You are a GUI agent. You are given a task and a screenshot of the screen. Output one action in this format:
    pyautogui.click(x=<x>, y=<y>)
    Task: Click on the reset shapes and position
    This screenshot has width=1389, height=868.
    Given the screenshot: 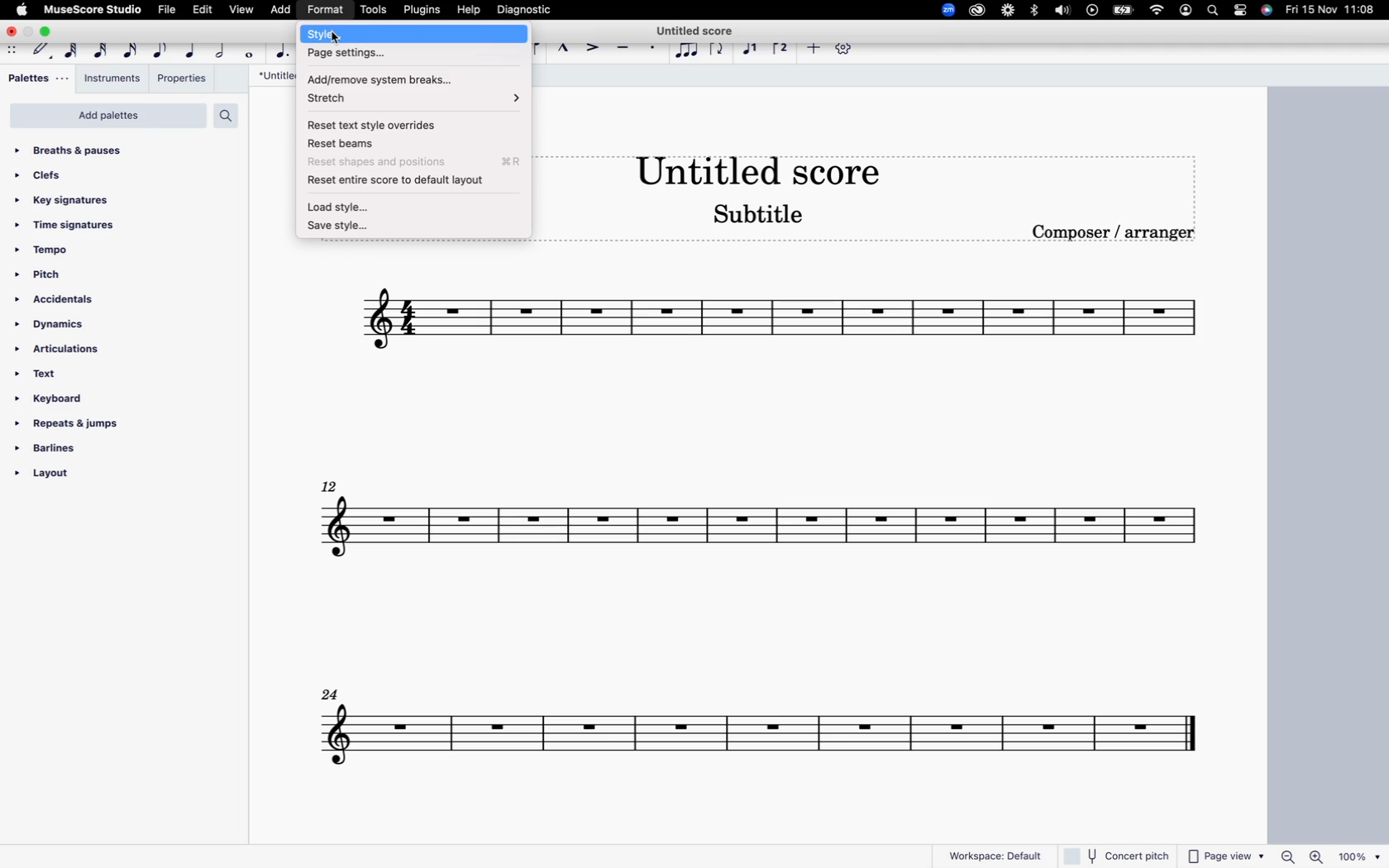 What is the action you would take?
    pyautogui.click(x=399, y=161)
    